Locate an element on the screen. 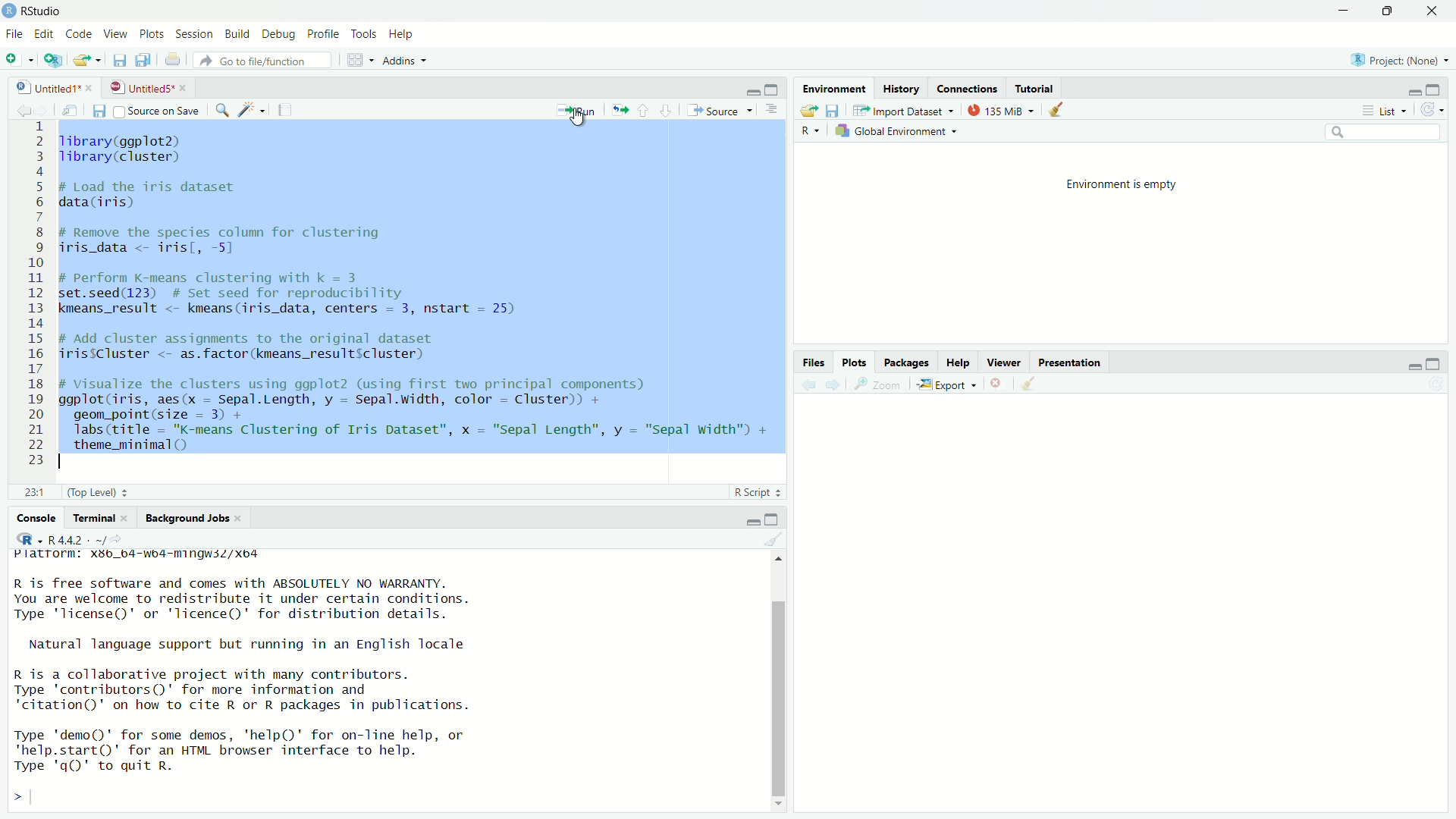 Image resolution: width=1456 pixels, height=819 pixels. save current document is located at coordinates (120, 60).